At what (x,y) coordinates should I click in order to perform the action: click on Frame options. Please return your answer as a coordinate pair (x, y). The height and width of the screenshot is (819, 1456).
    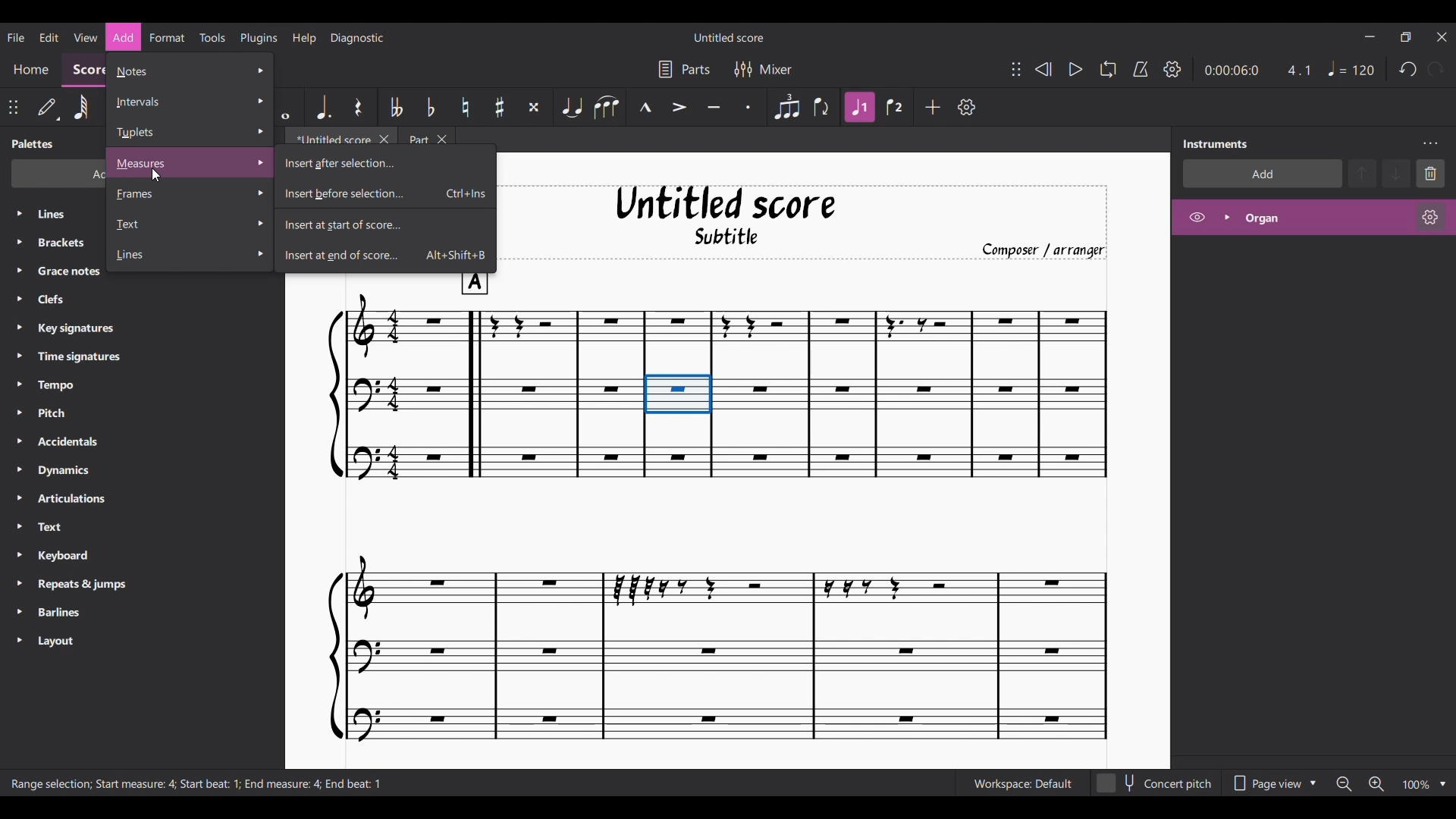
    Looking at the image, I should click on (190, 194).